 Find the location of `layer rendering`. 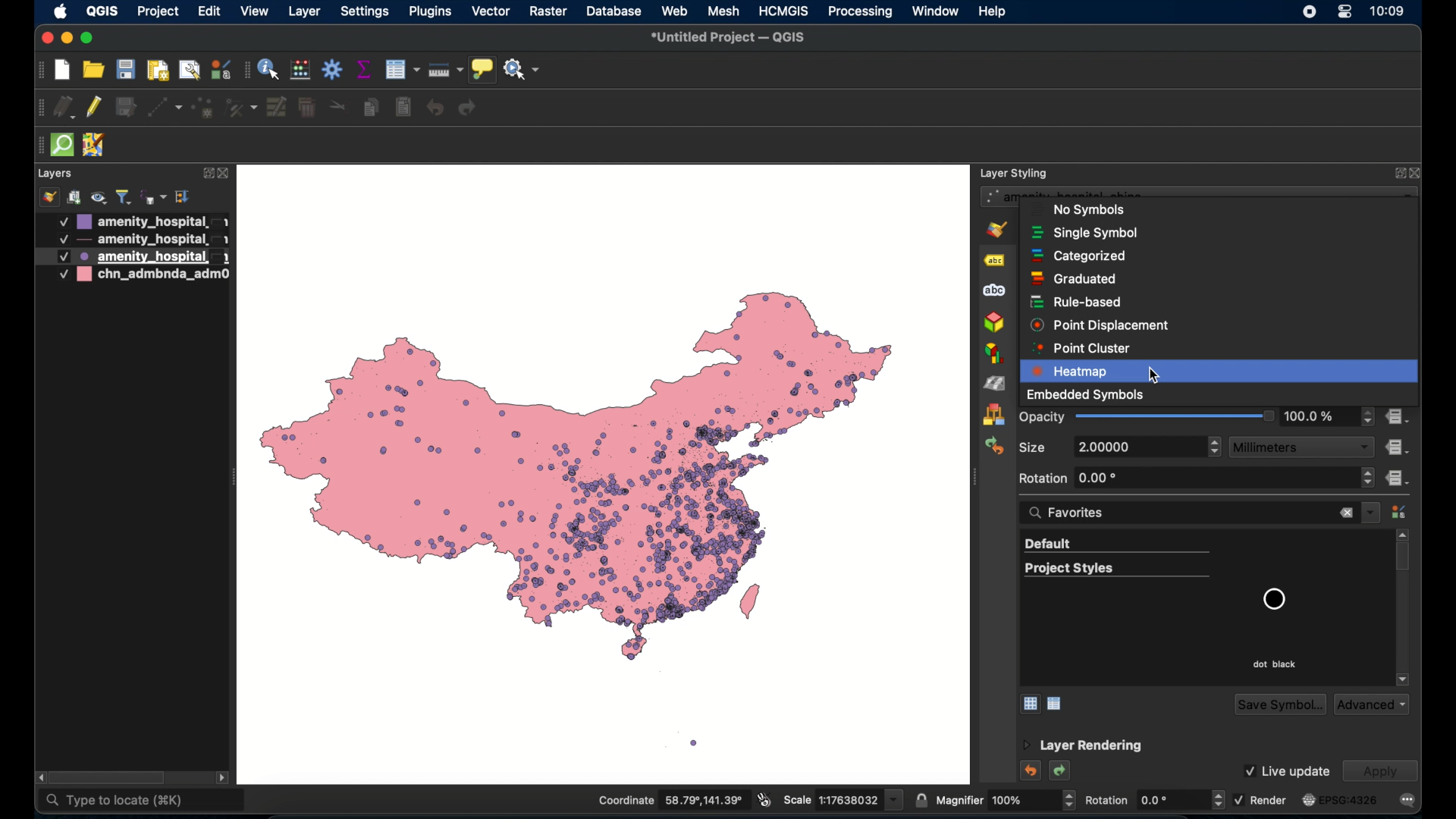

layer rendering is located at coordinates (1082, 746).